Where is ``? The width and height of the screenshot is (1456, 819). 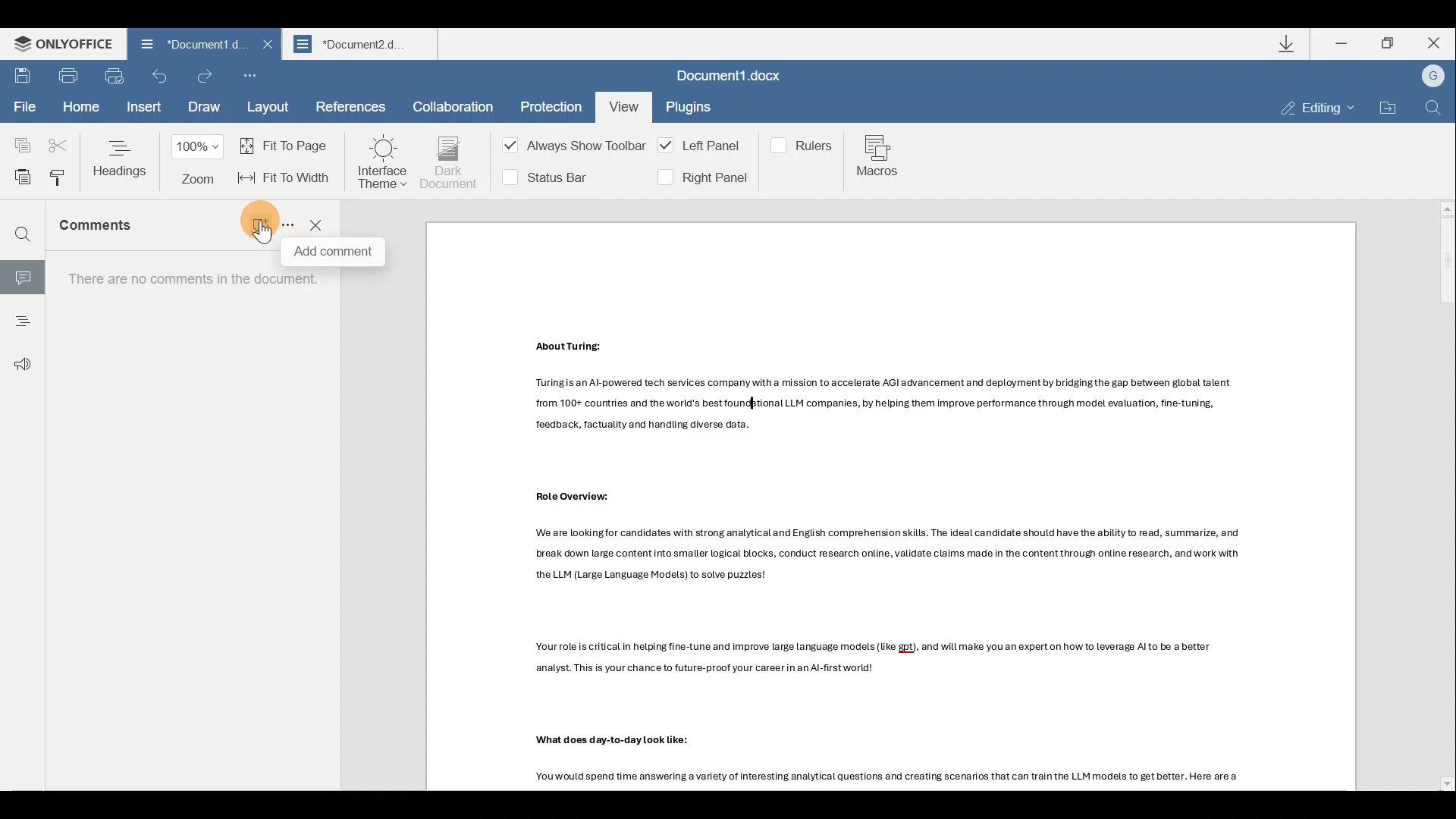
 is located at coordinates (610, 739).